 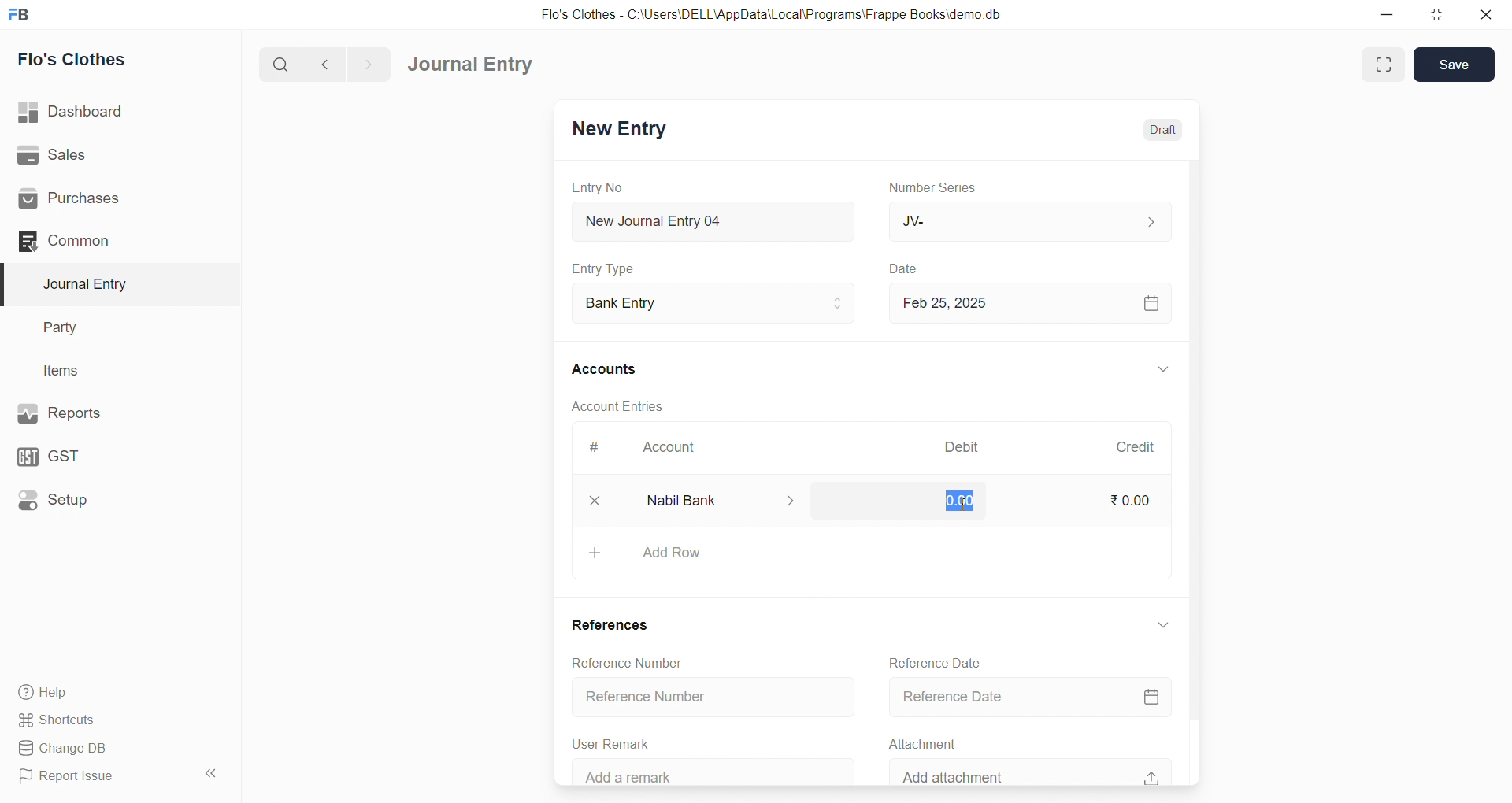 What do you see at coordinates (1153, 130) in the screenshot?
I see `Draft` at bounding box center [1153, 130].